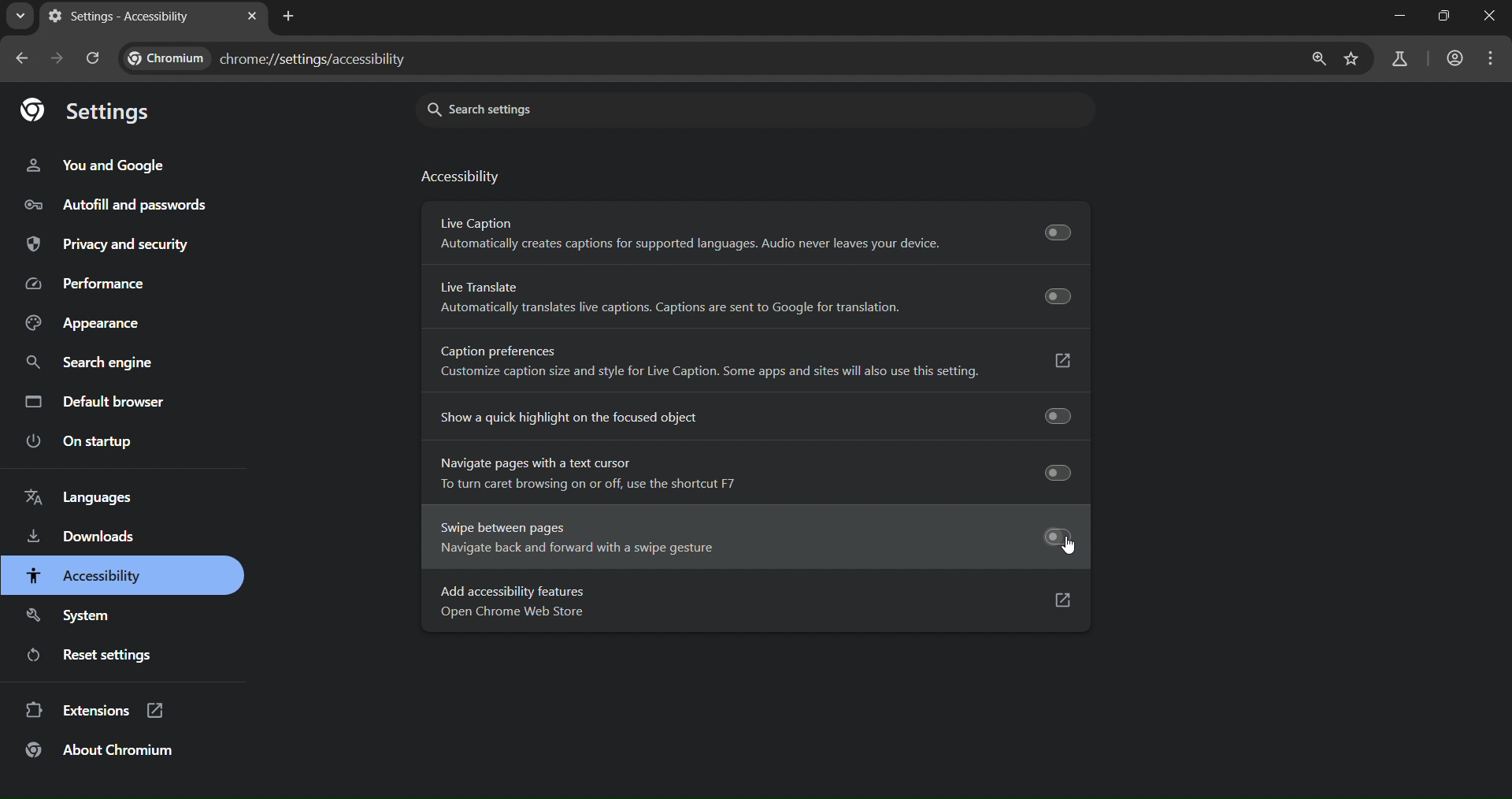 This screenshot has height=799, width=1512. What do you see at coordinates (746, 474) in the screenshot?
I see `Navigate pages with a text cursor
To turn caret browsing on or off, use the shortcut F7` at bounding box center [746, 474].